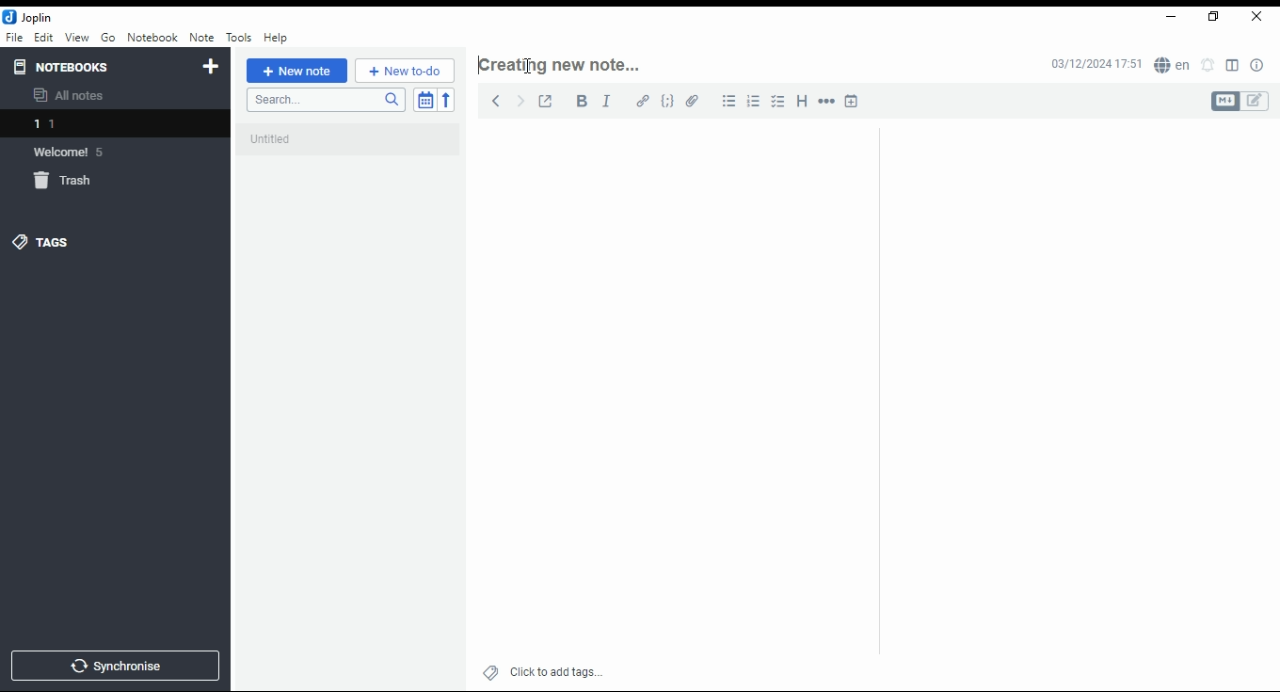 This screenshot has width=1280, height=692. Describe the element at coordinates (1208, 65) in the screenshot. I see `set alarm` at that location.